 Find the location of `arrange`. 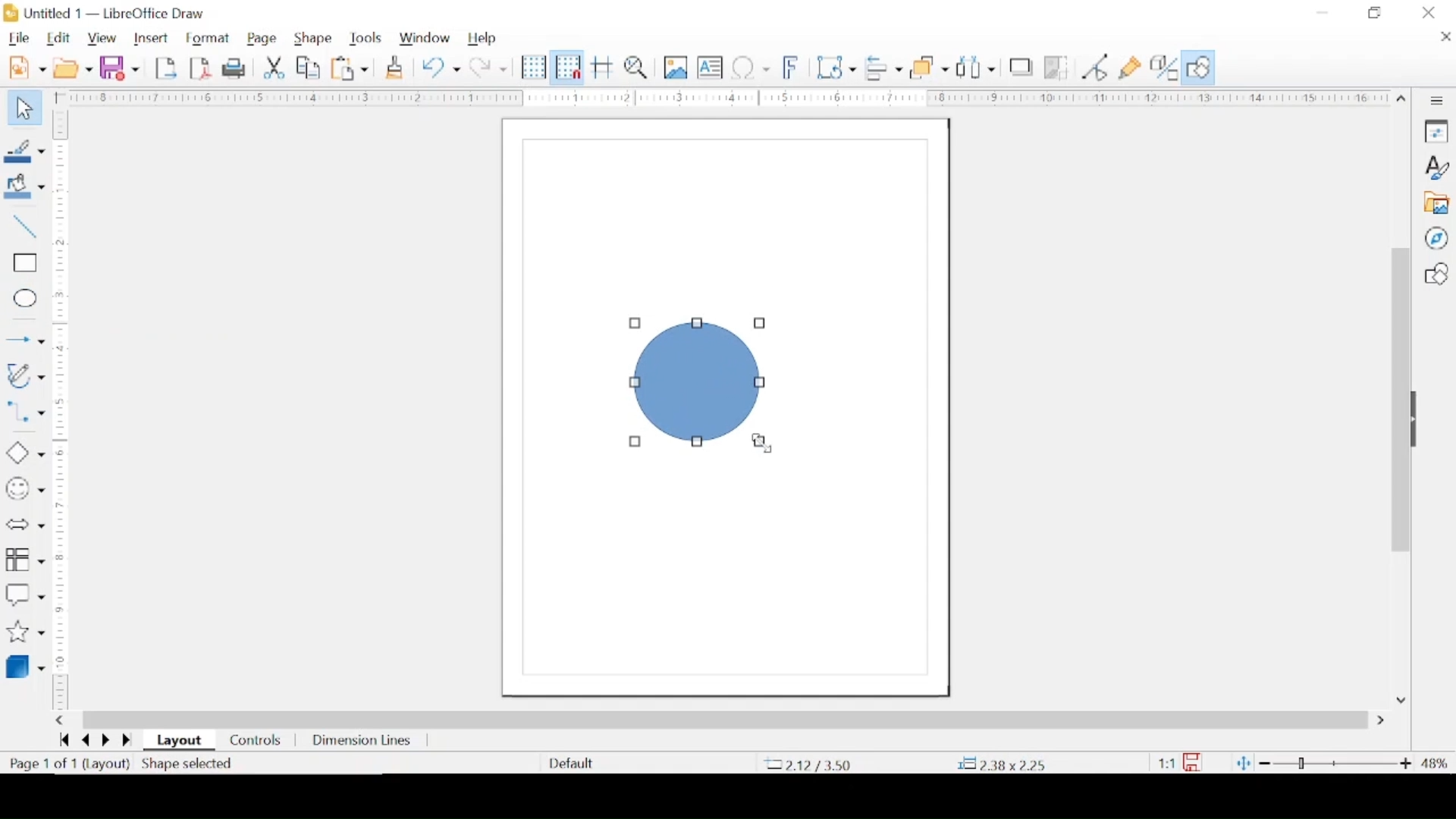

arrange is located at coordinates (928, 67).